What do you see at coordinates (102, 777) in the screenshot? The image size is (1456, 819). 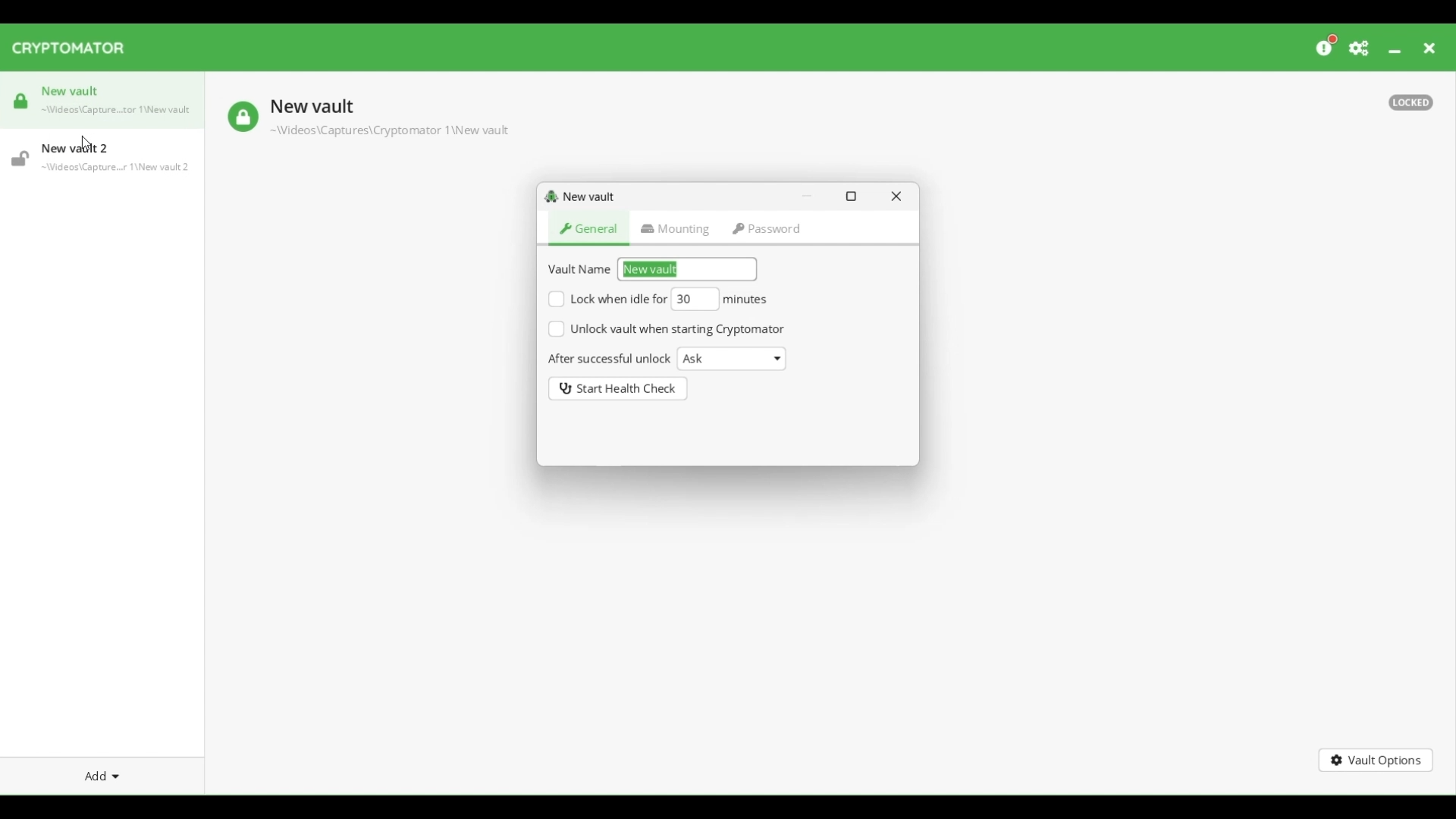 I see `Add new vault` at bounding box center [102, 777].